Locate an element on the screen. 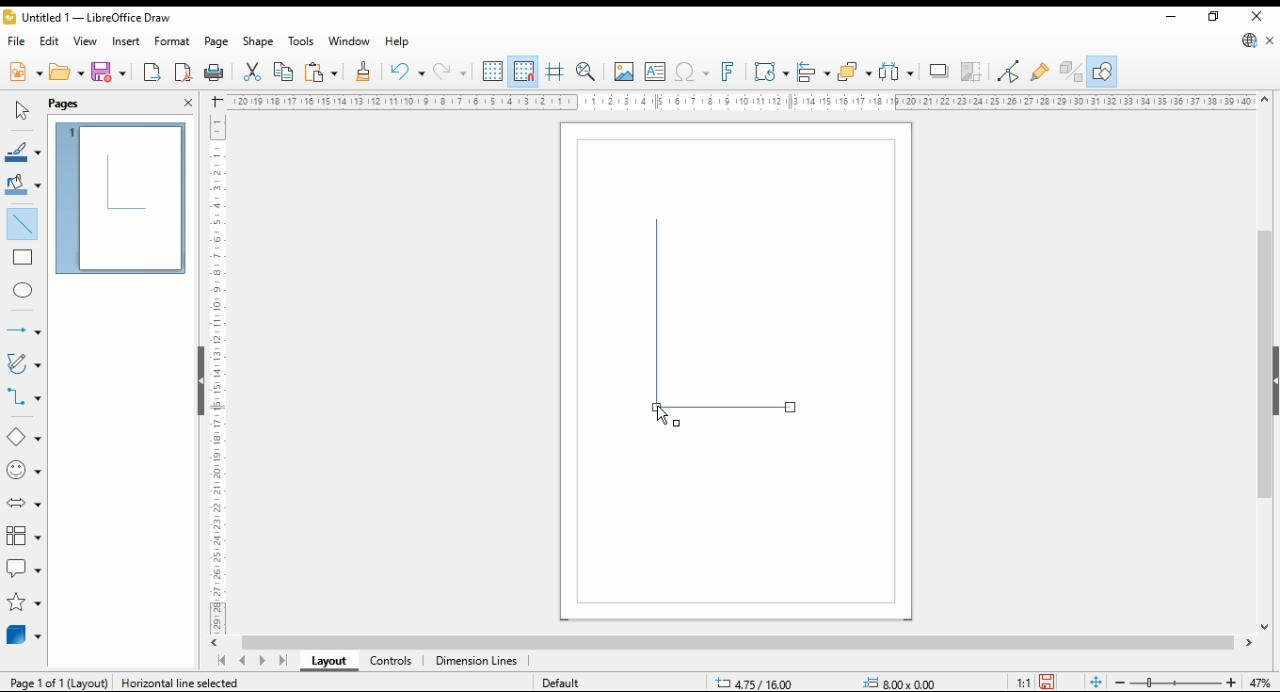 This screenshot has height=692, width=1280. move right is located at coordinates (1251, 645).